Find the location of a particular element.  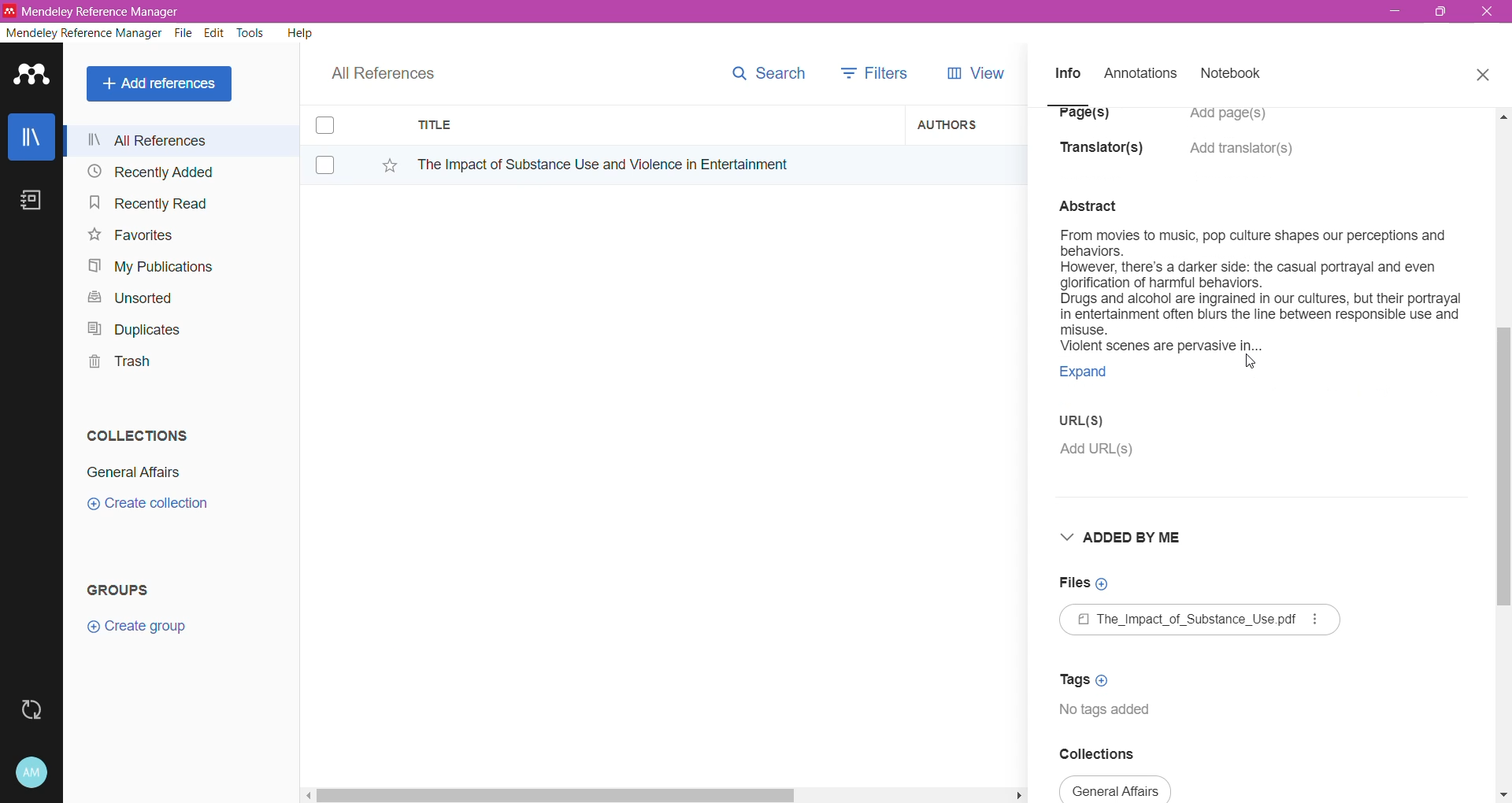

Added By Me is located at coordinates (1117, 544).